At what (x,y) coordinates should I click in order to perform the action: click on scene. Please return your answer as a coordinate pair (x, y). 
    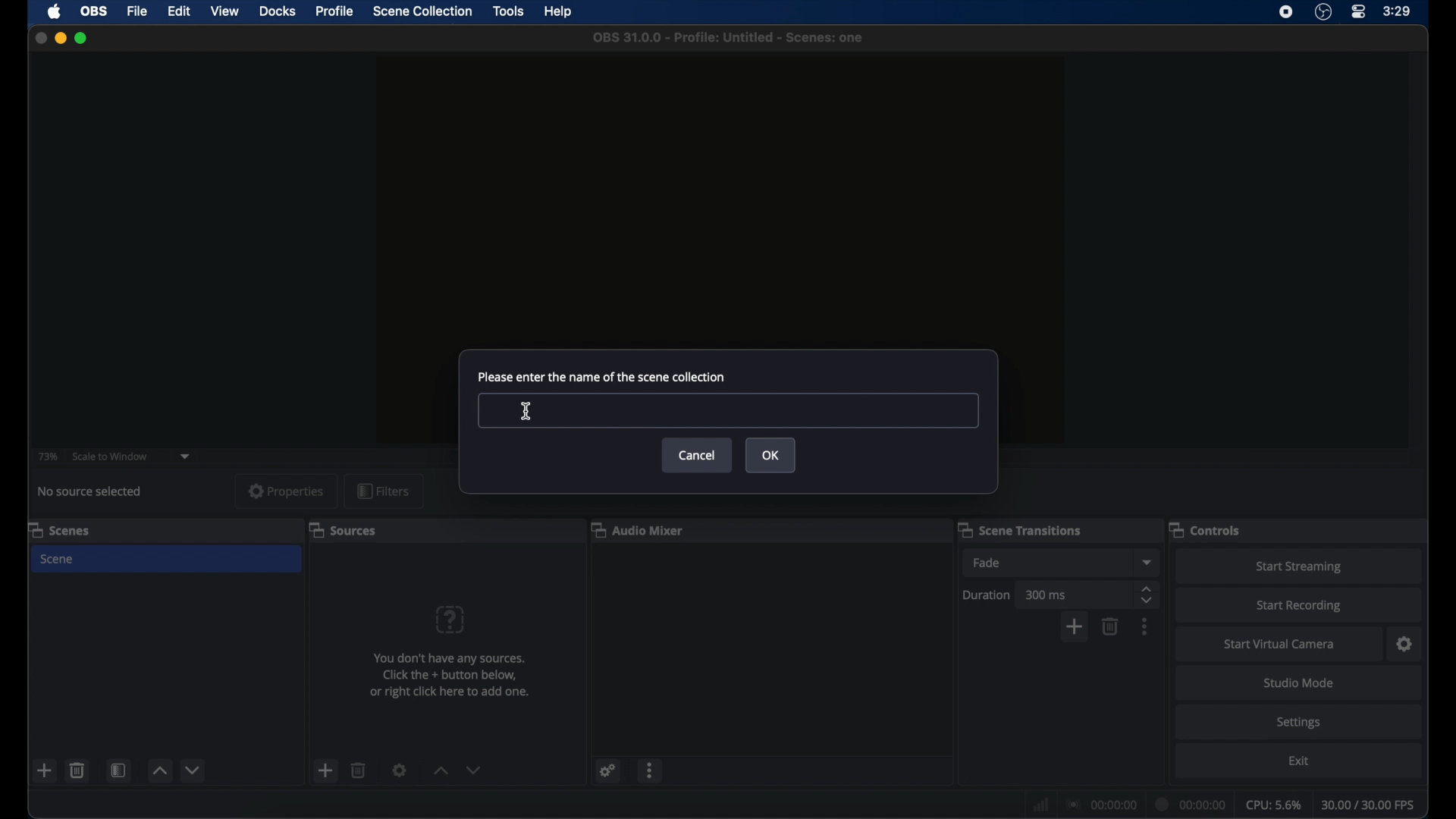
    Looking at the image, I should click on (58, 559).